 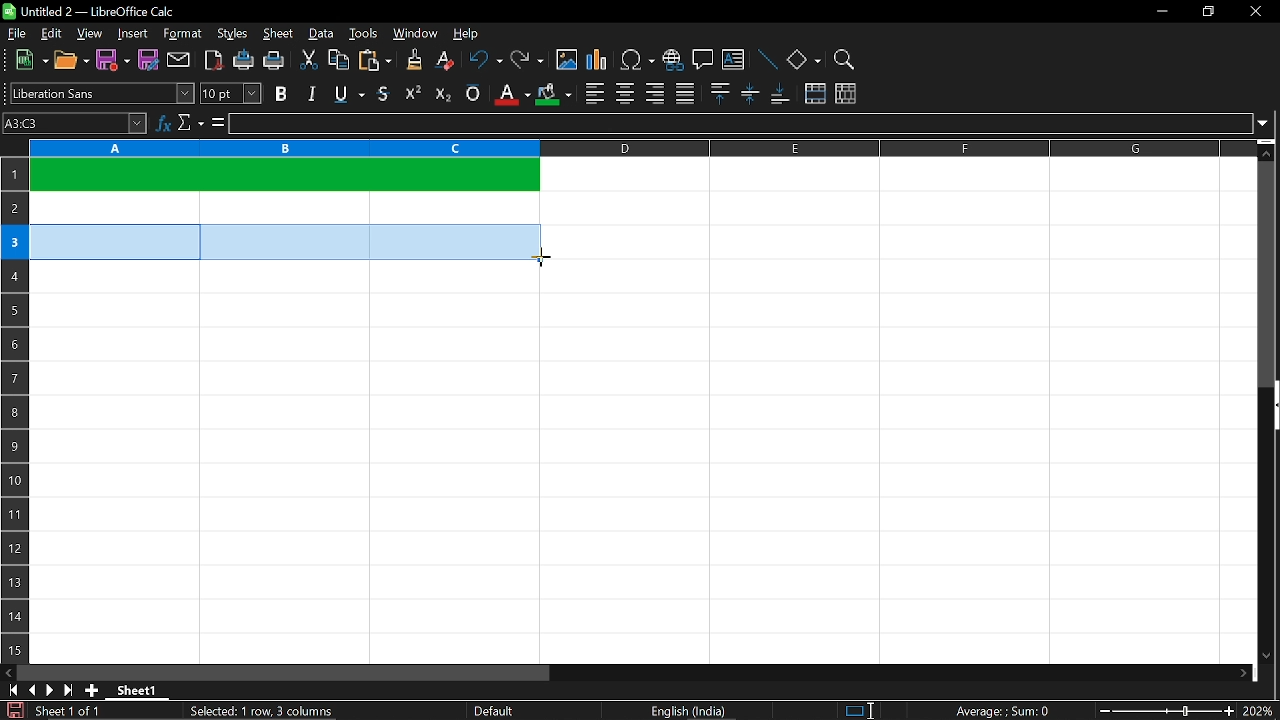 What do you see at coordinates (625, 93) in the screenshot?
I see `center` at bounding box center [625, 93].